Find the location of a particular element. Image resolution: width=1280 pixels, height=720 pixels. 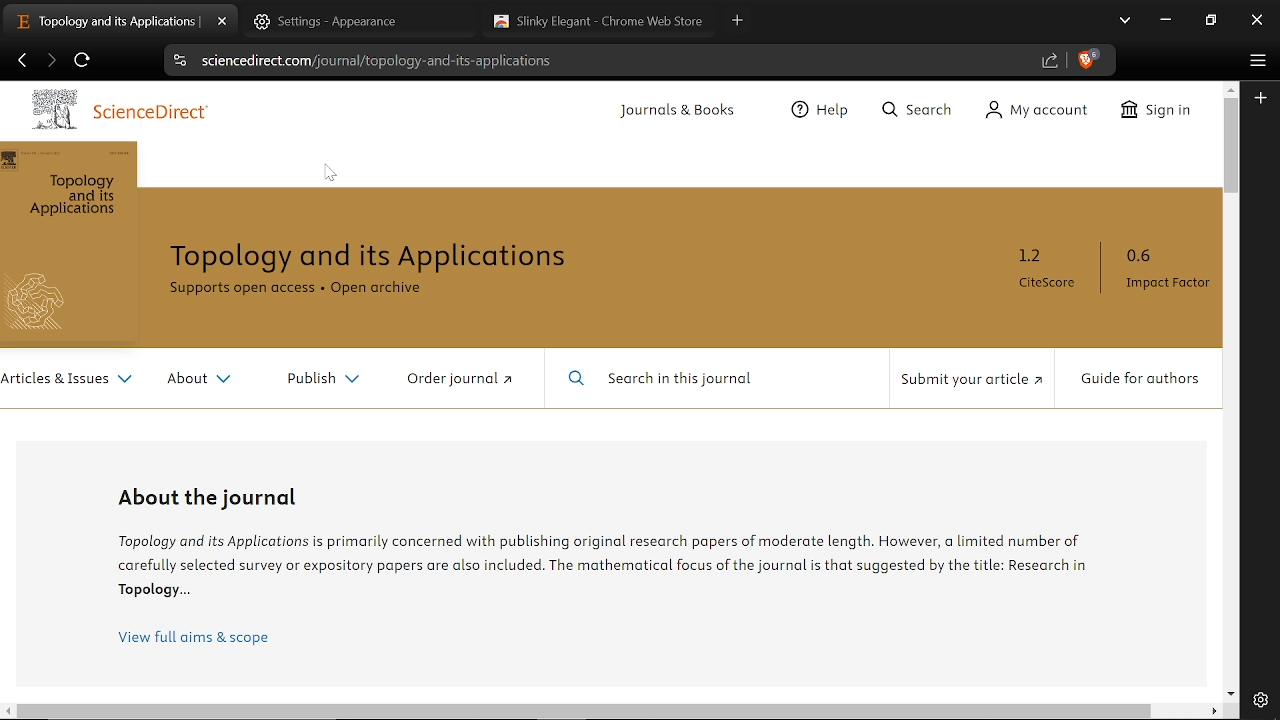

About the Journal is located at coordinates (219, 496).